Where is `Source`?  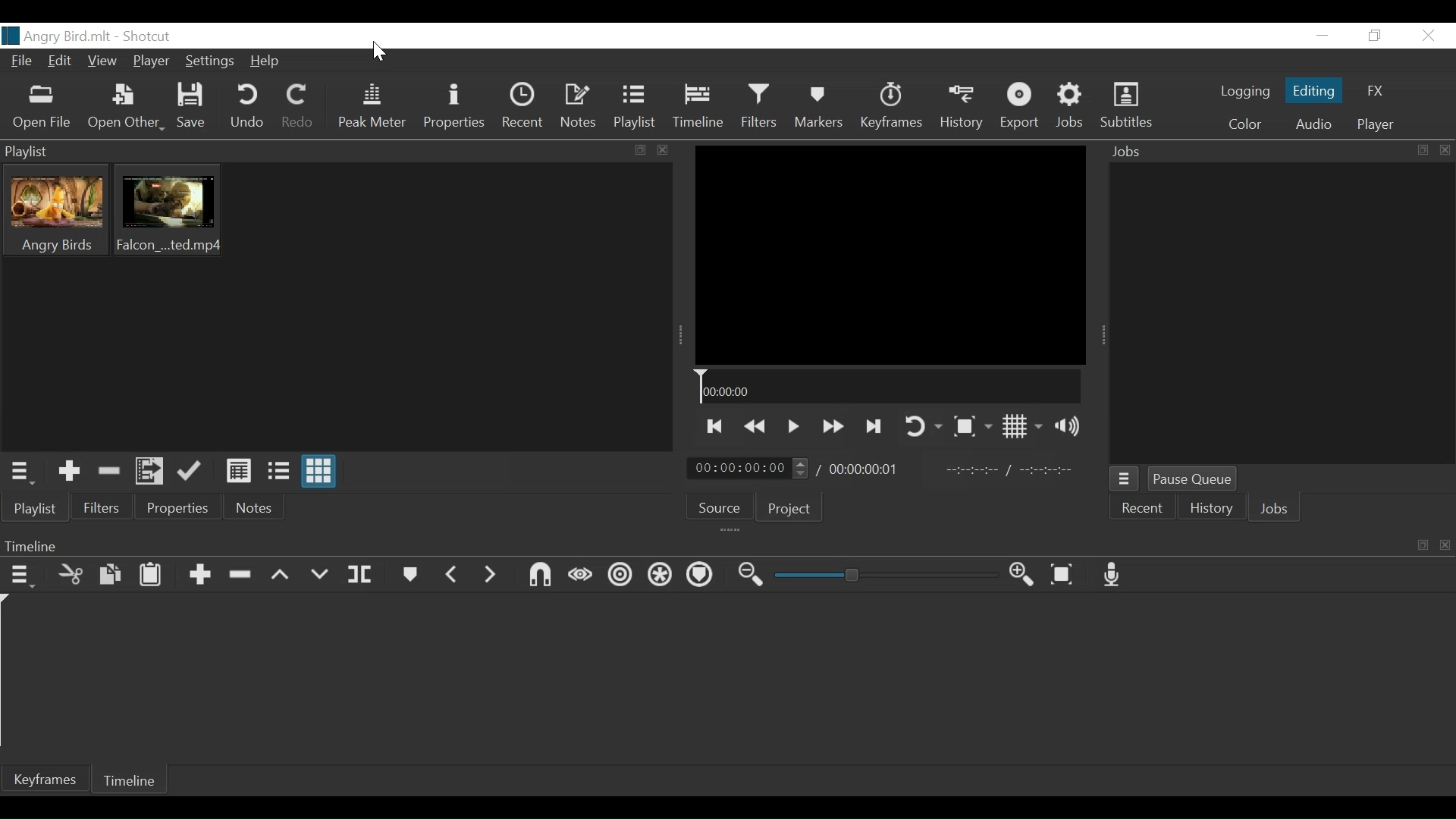 Source is located at coordinates (717, 507).